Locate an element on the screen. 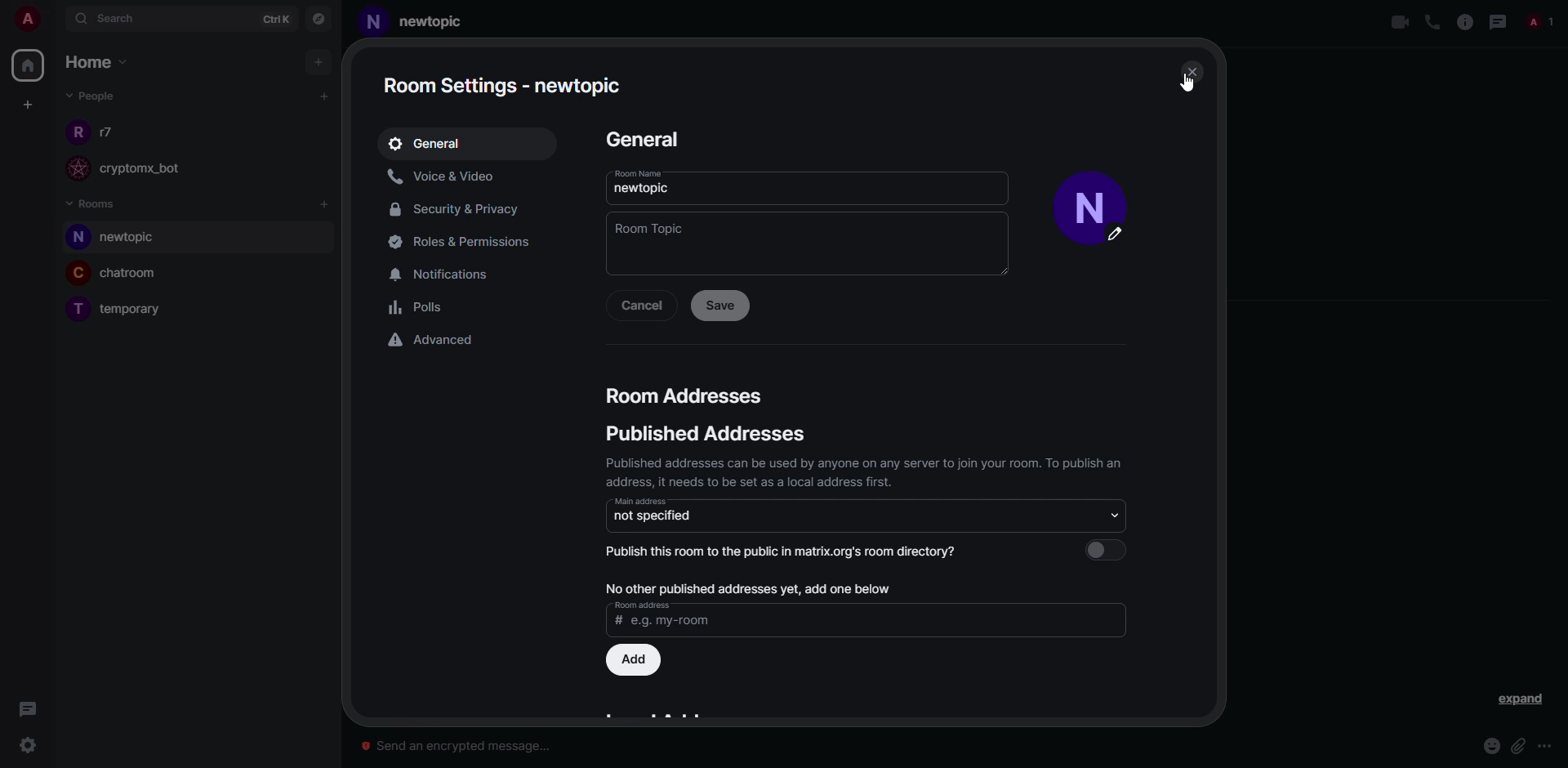  add is located at coordinates (326, 205).